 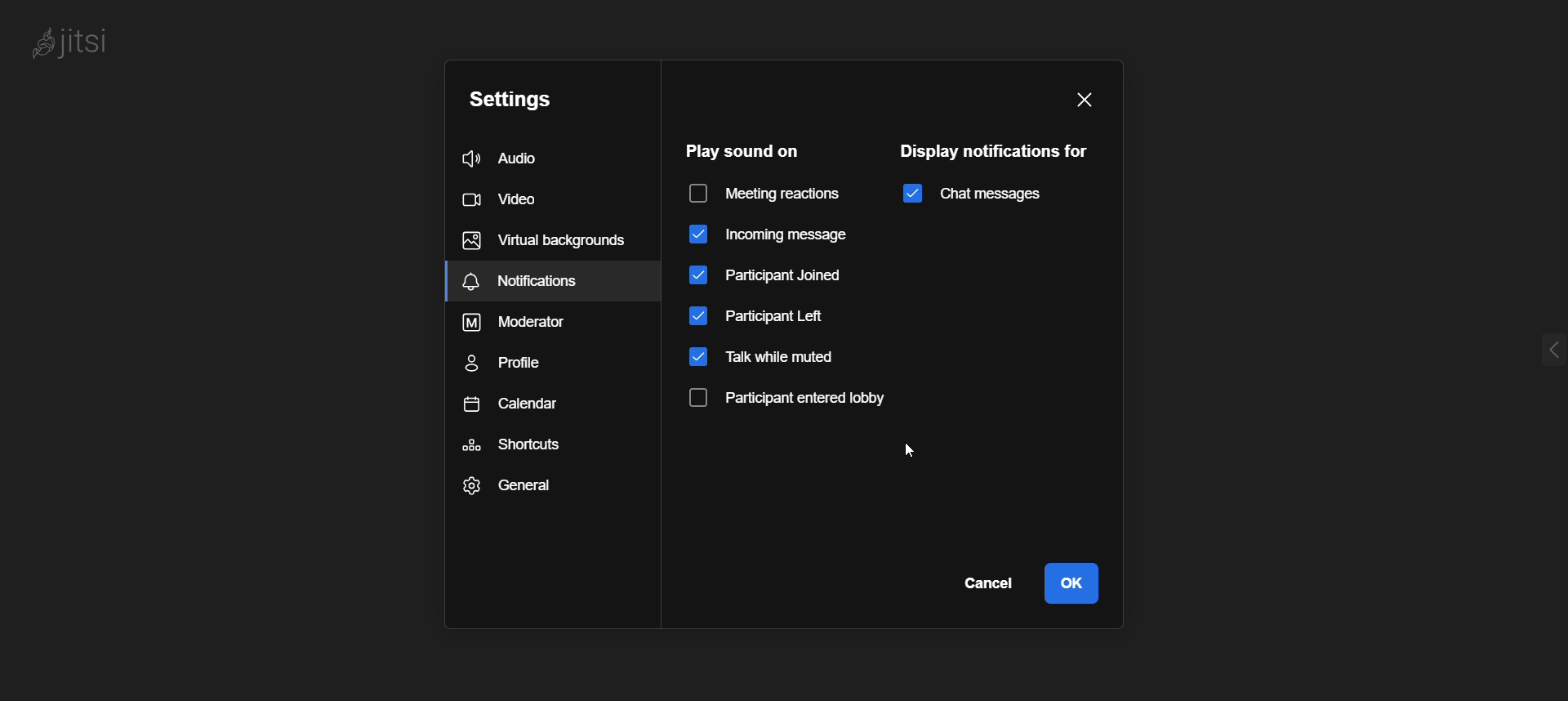 What do you see at coordinates (544, 237) in the screenshot?
I see `Virtual background` at bounding box center [544, 237].